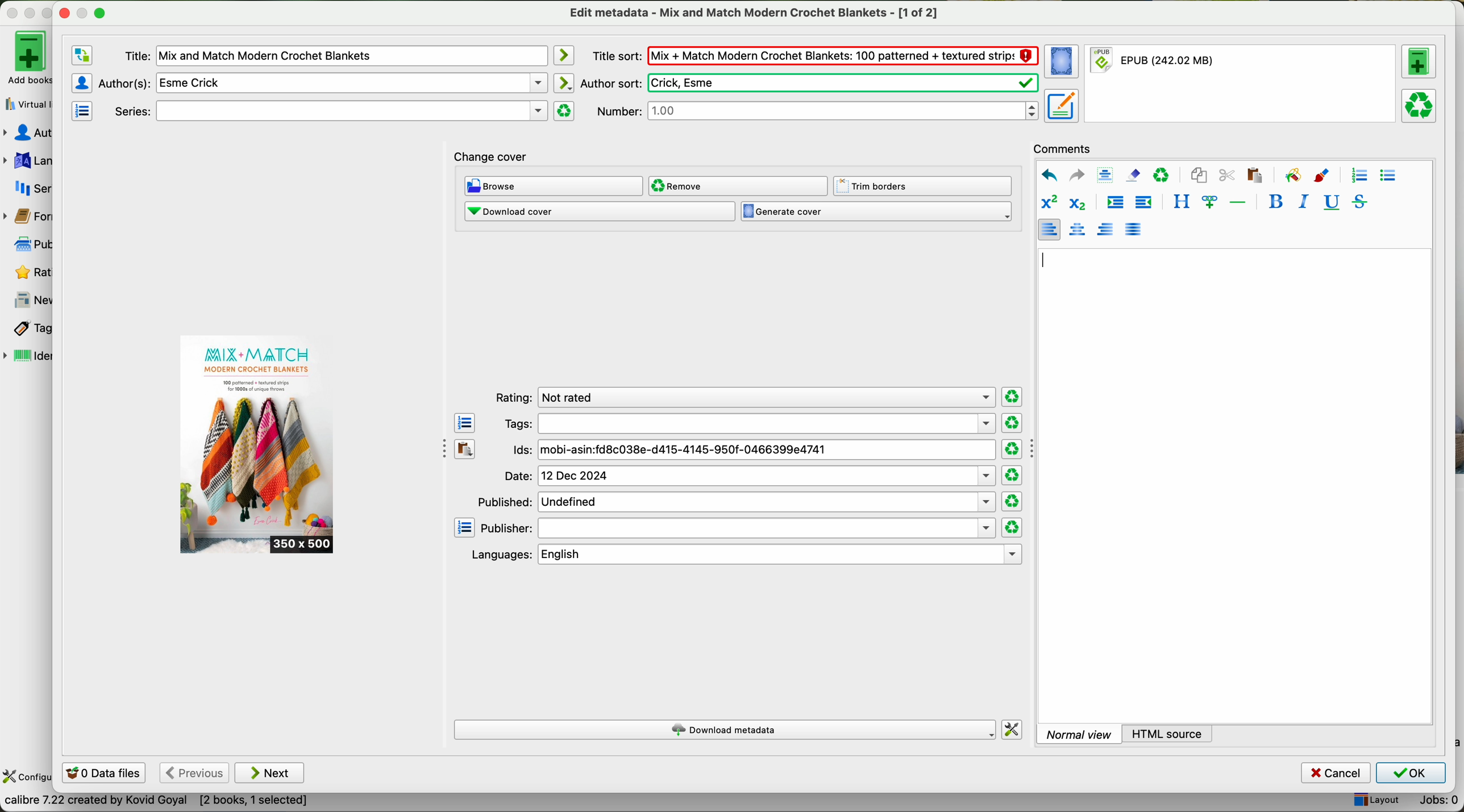 This screenshot has width=1464, height=812. I want to click on title sort, so click(814, 55).